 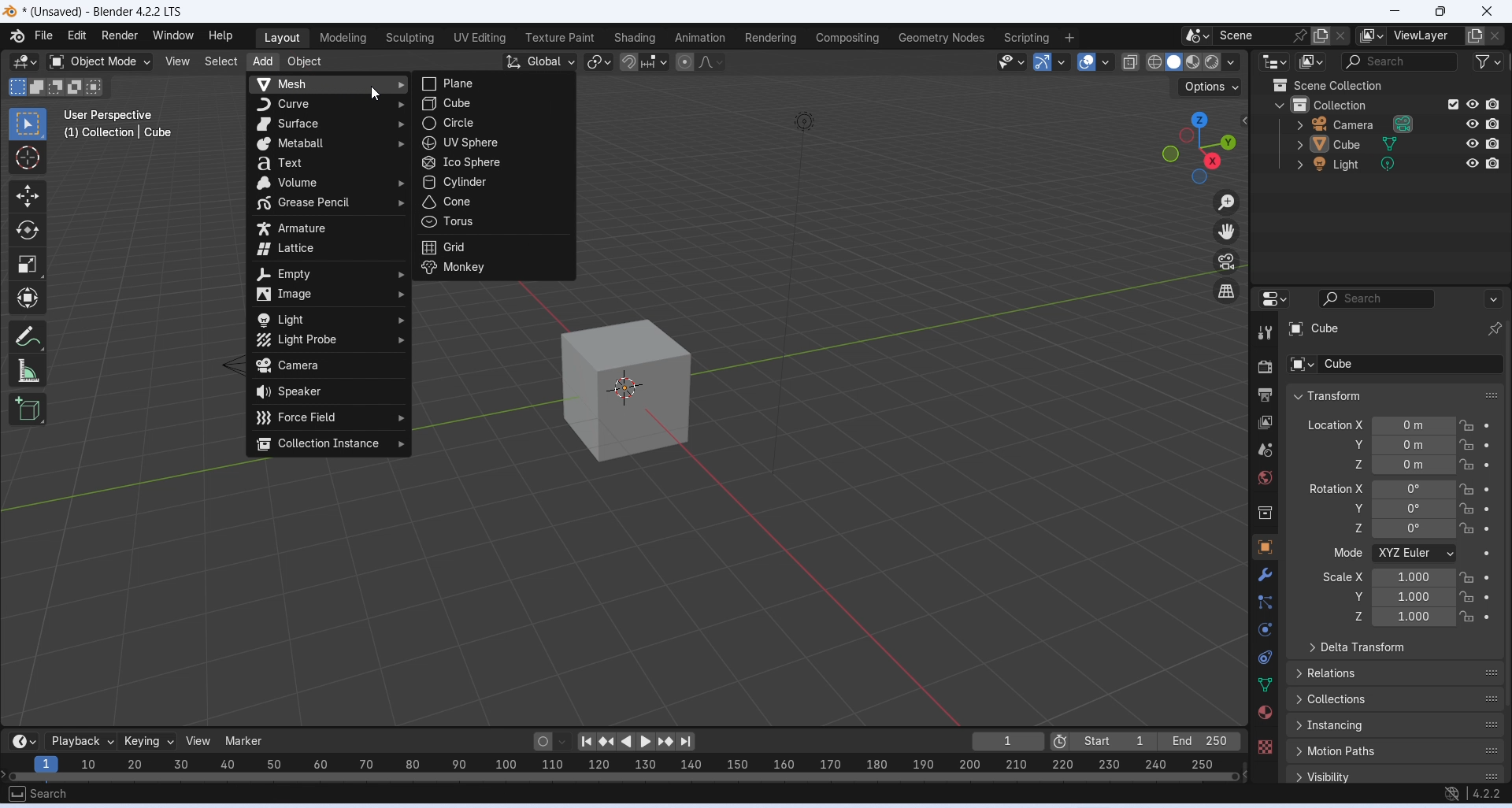 I want to click on toggle xrays, so click(x=1131, y=62).